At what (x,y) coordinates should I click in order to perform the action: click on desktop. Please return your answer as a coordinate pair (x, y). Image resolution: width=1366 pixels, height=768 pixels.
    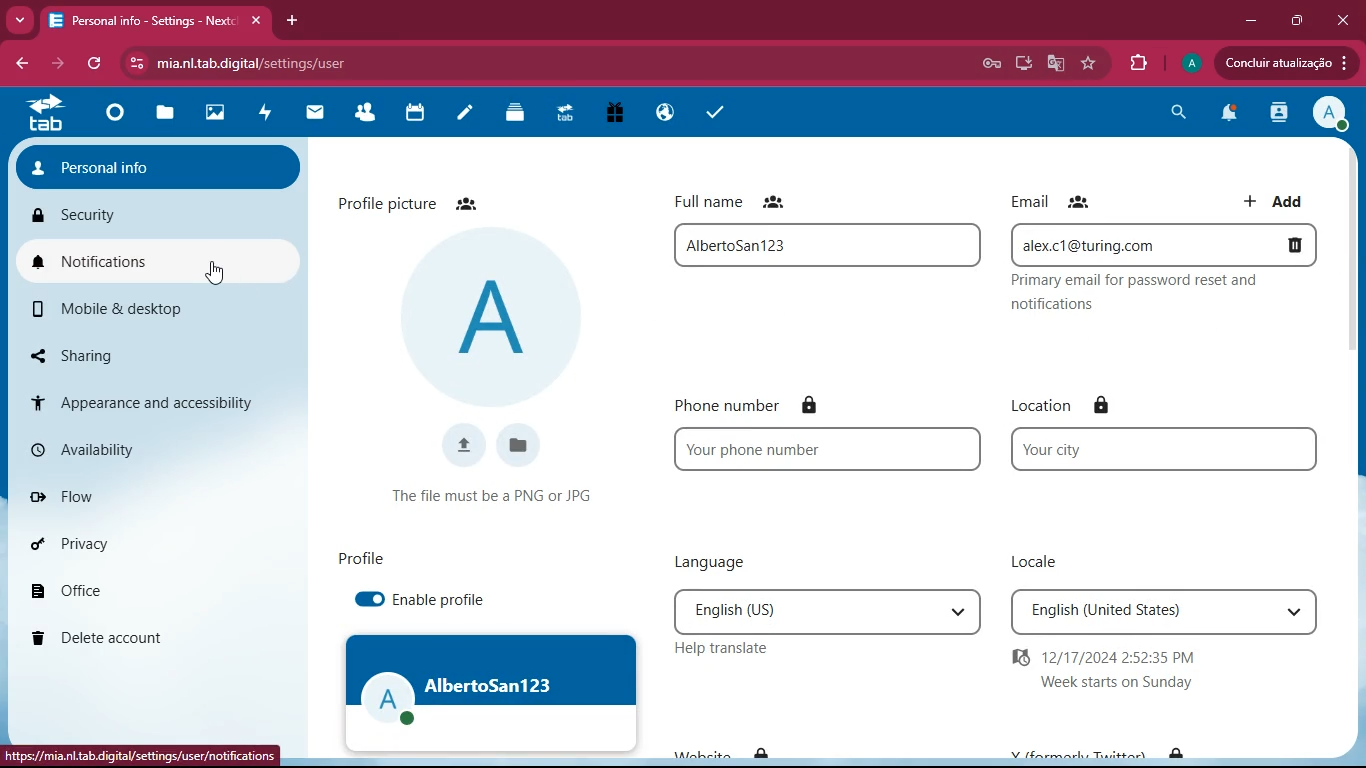
    Looking at the image, I should click on (1020, 63).